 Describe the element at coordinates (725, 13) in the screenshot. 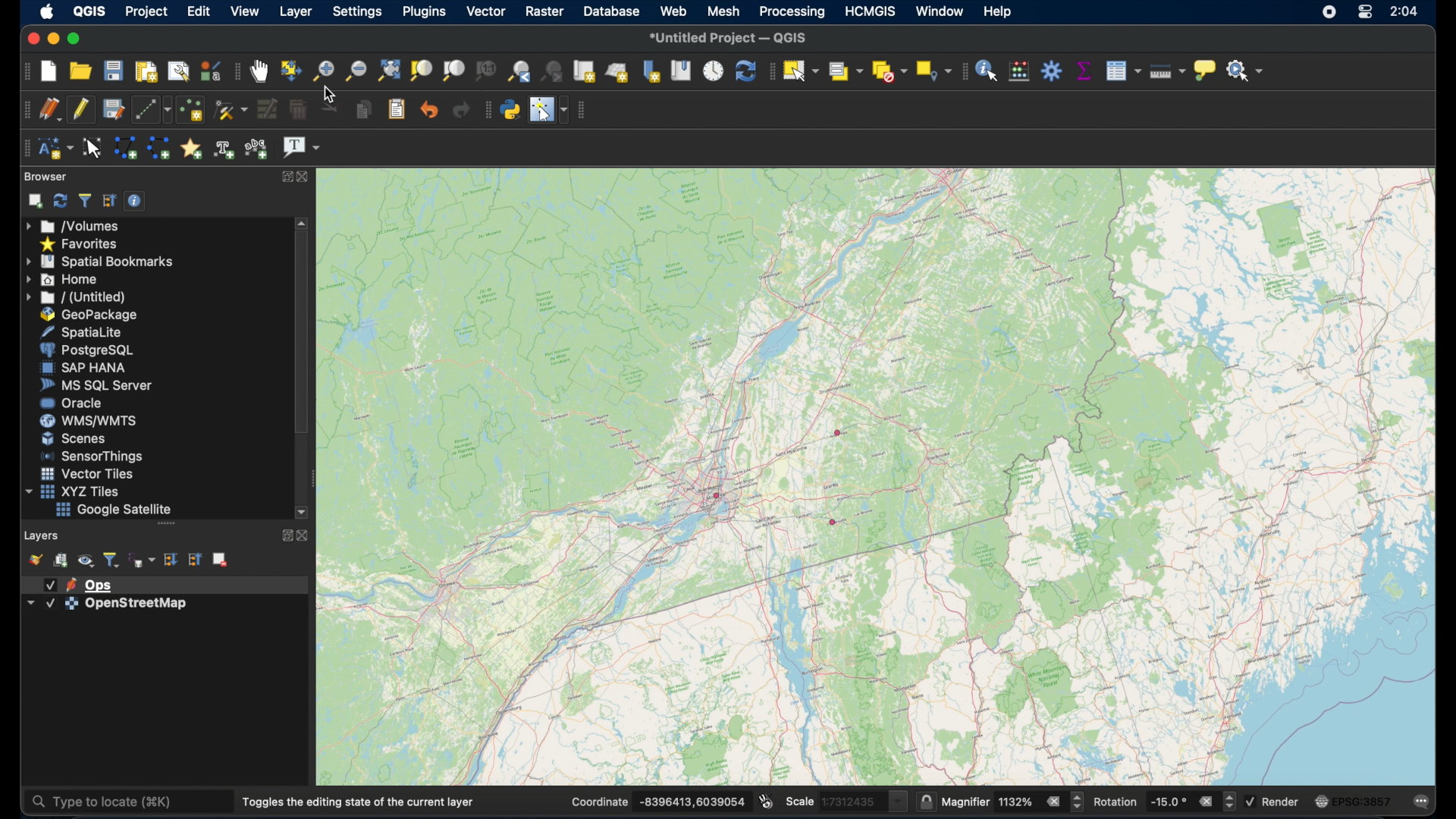

I see `mesh` at that location.